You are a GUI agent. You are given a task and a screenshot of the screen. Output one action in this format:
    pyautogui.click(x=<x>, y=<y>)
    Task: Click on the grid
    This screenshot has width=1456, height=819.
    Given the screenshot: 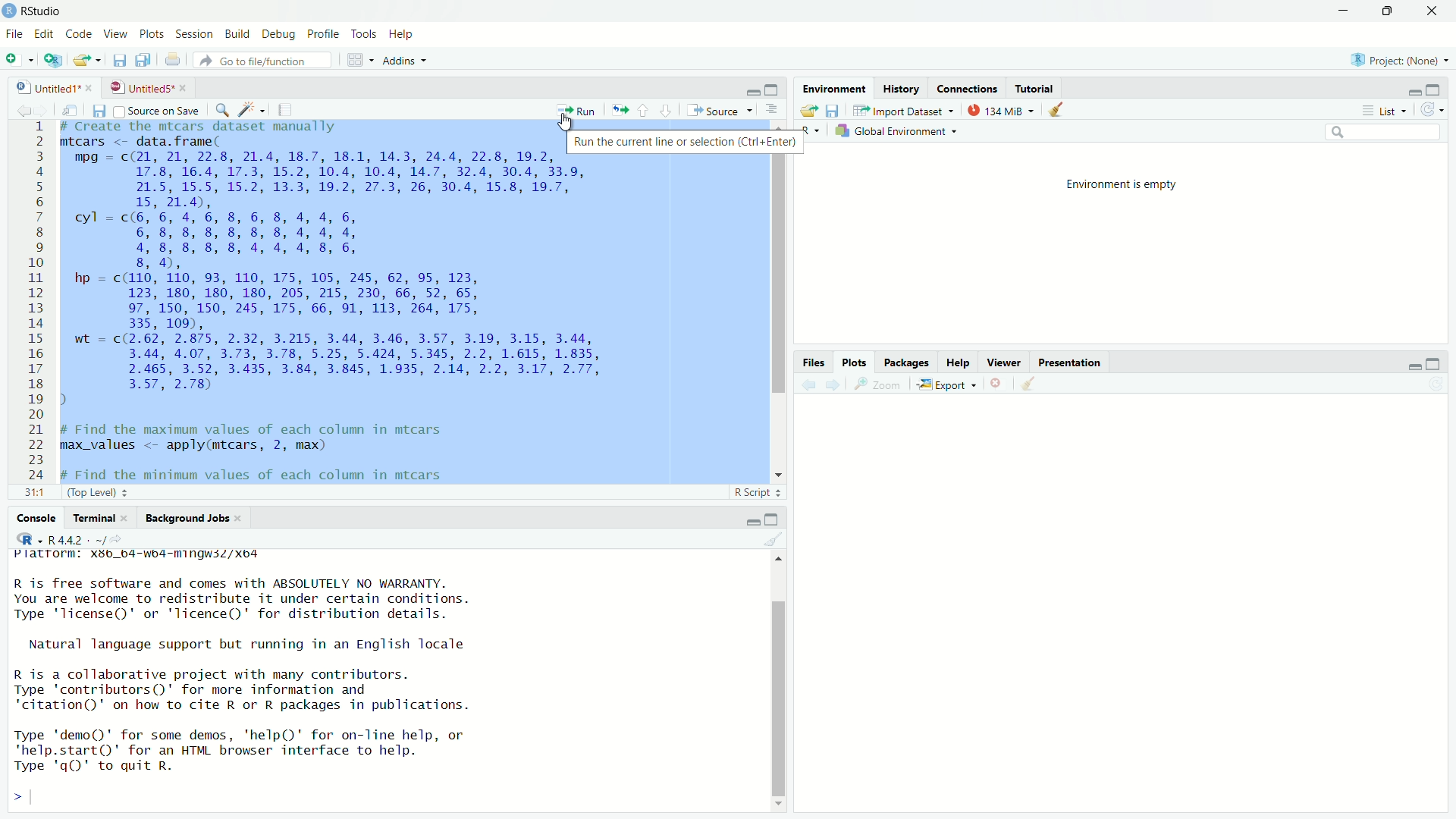 What is the action you would take?
    pyautogui.click(x=350, y=61)
    